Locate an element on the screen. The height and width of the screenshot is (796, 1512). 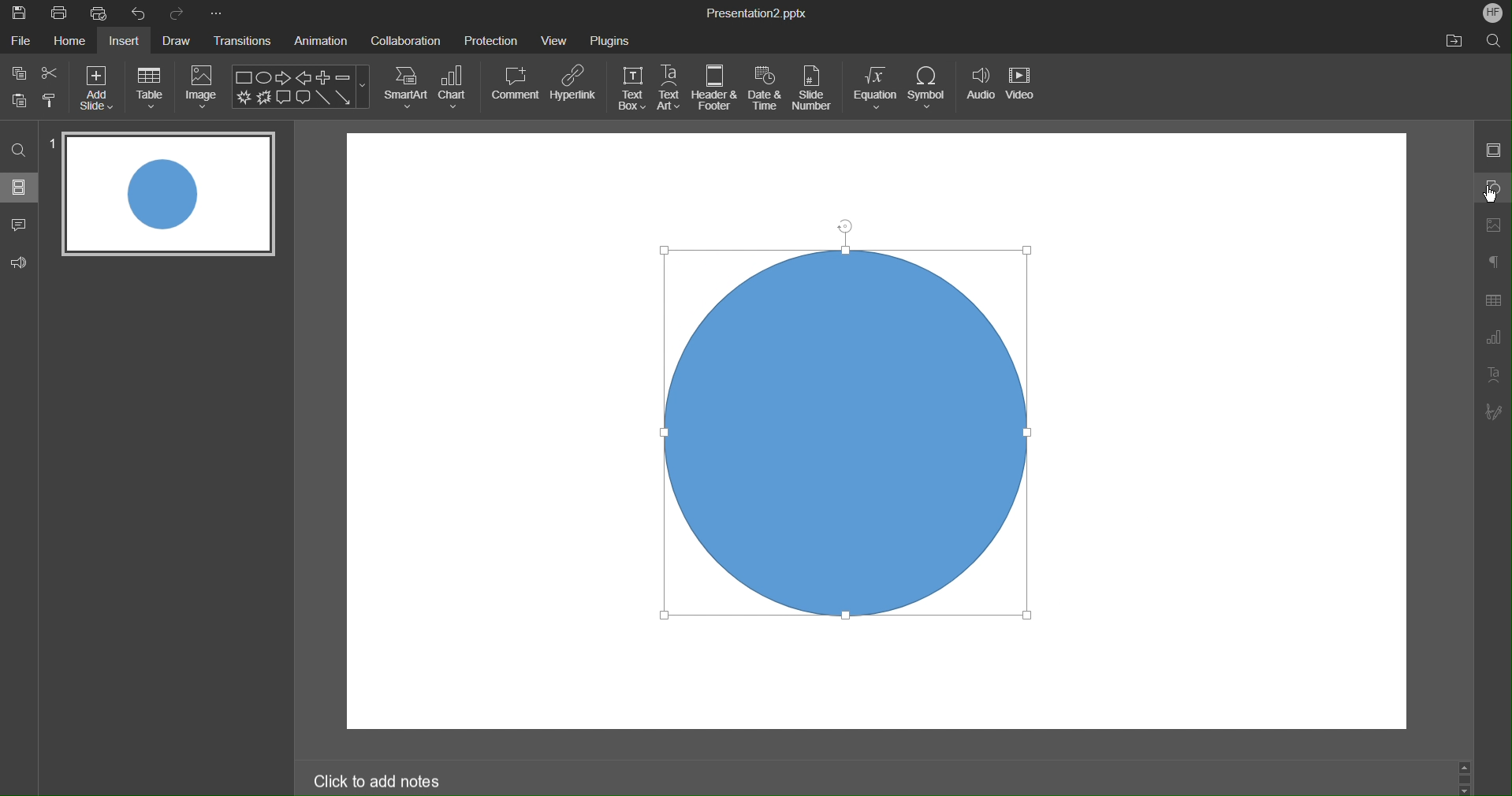
Collaboration is located at coordinates (406, 39).